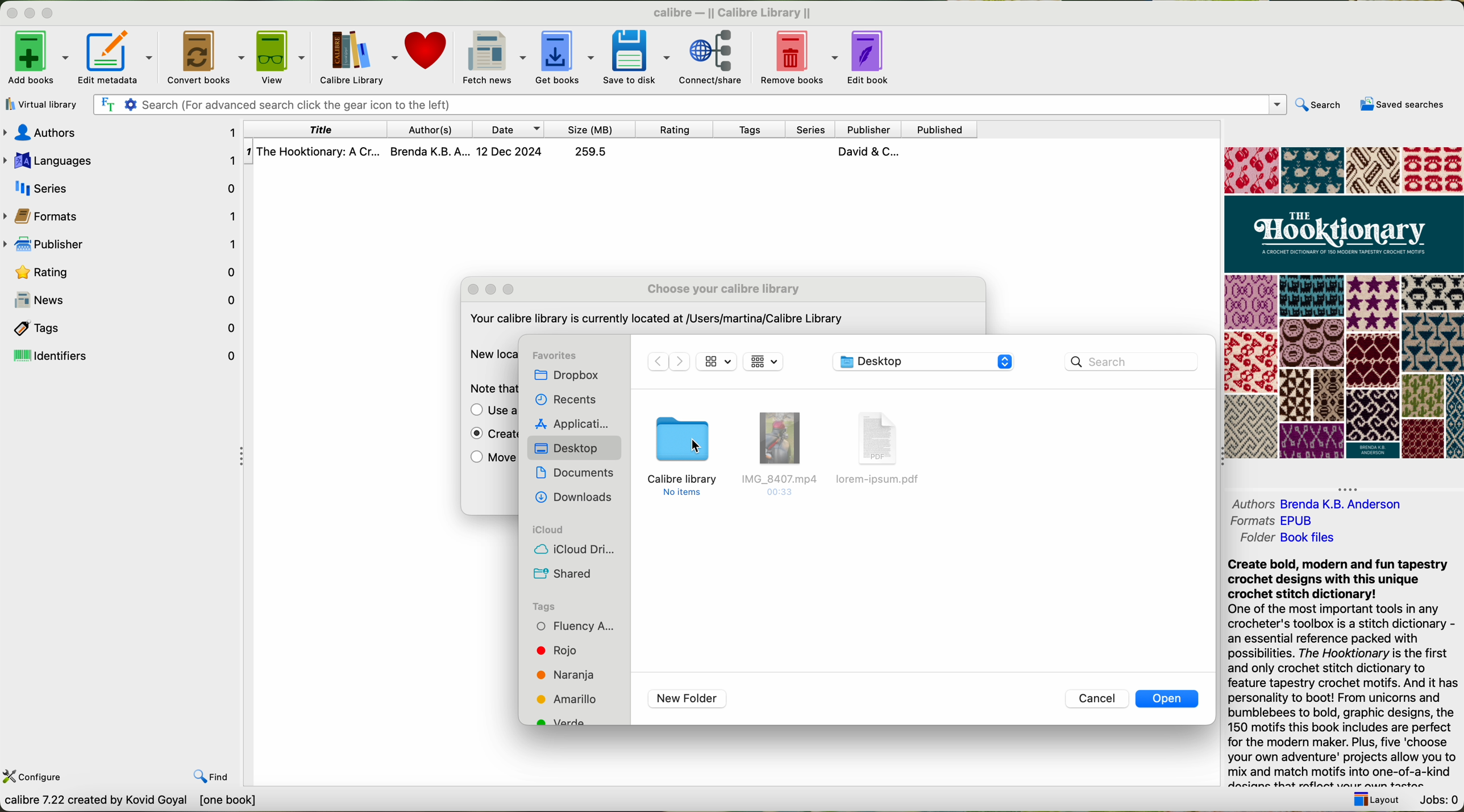 This screenshot has width=1464, height=812. Describe the element at coordinates (121, 357) in the screenshot. I see `identifiers` at that location.